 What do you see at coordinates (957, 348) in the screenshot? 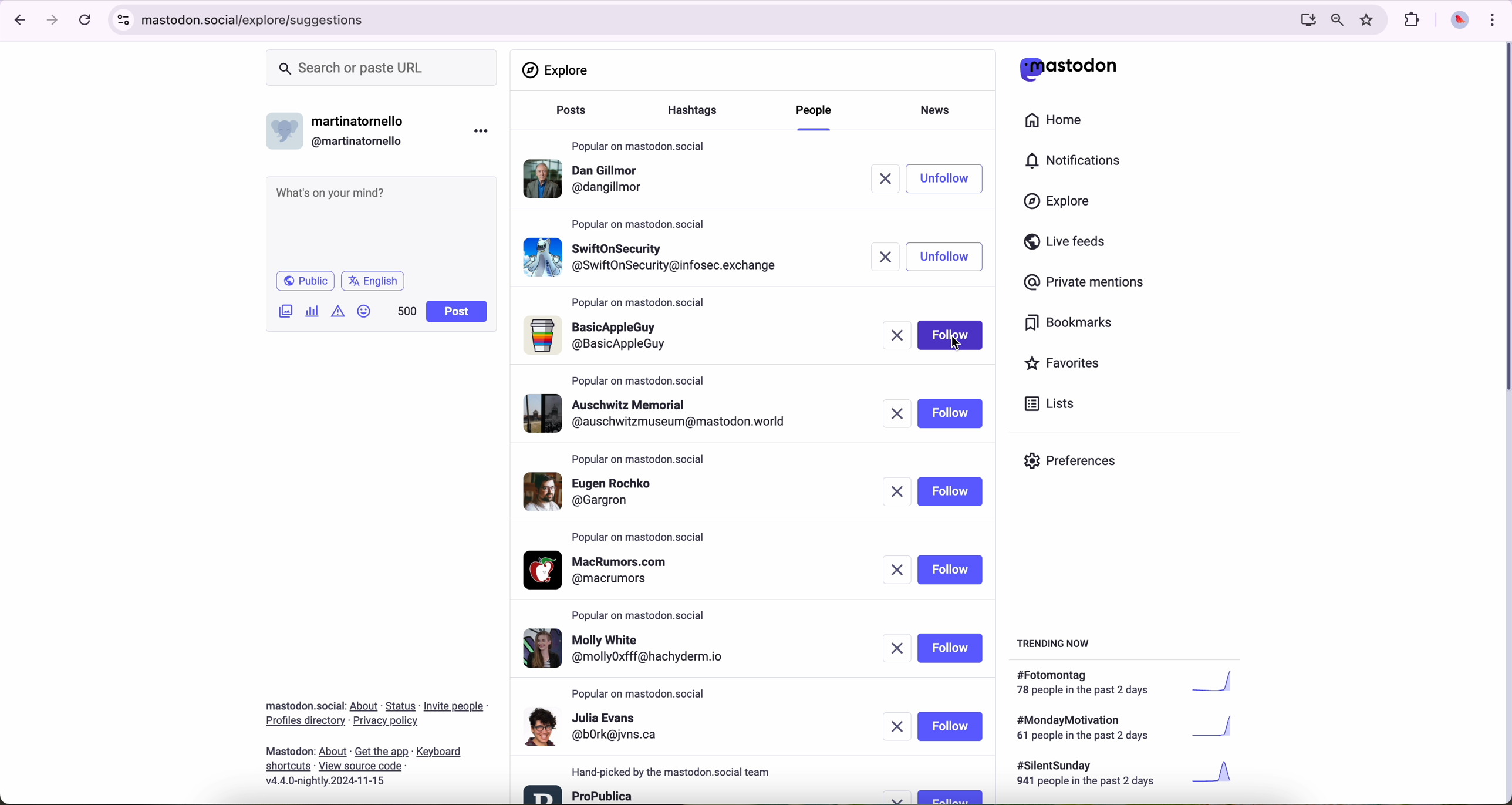
I see `cursor` at bounding box center [957, 348].